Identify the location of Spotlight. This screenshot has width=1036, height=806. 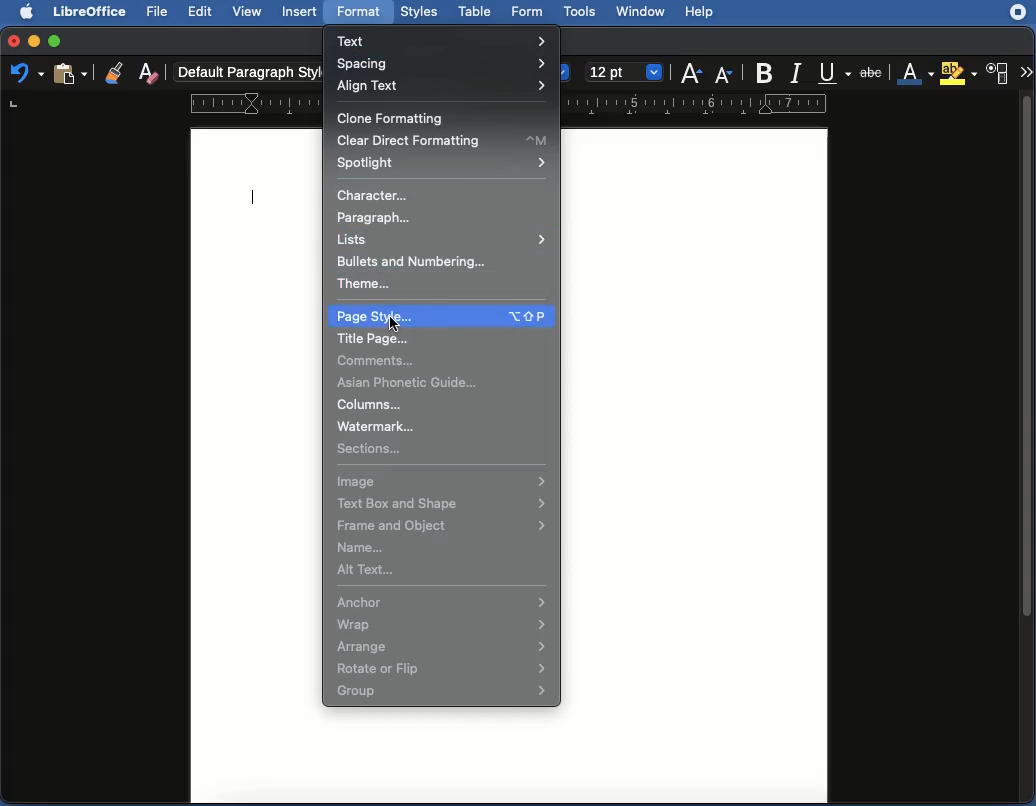
(442, 163).